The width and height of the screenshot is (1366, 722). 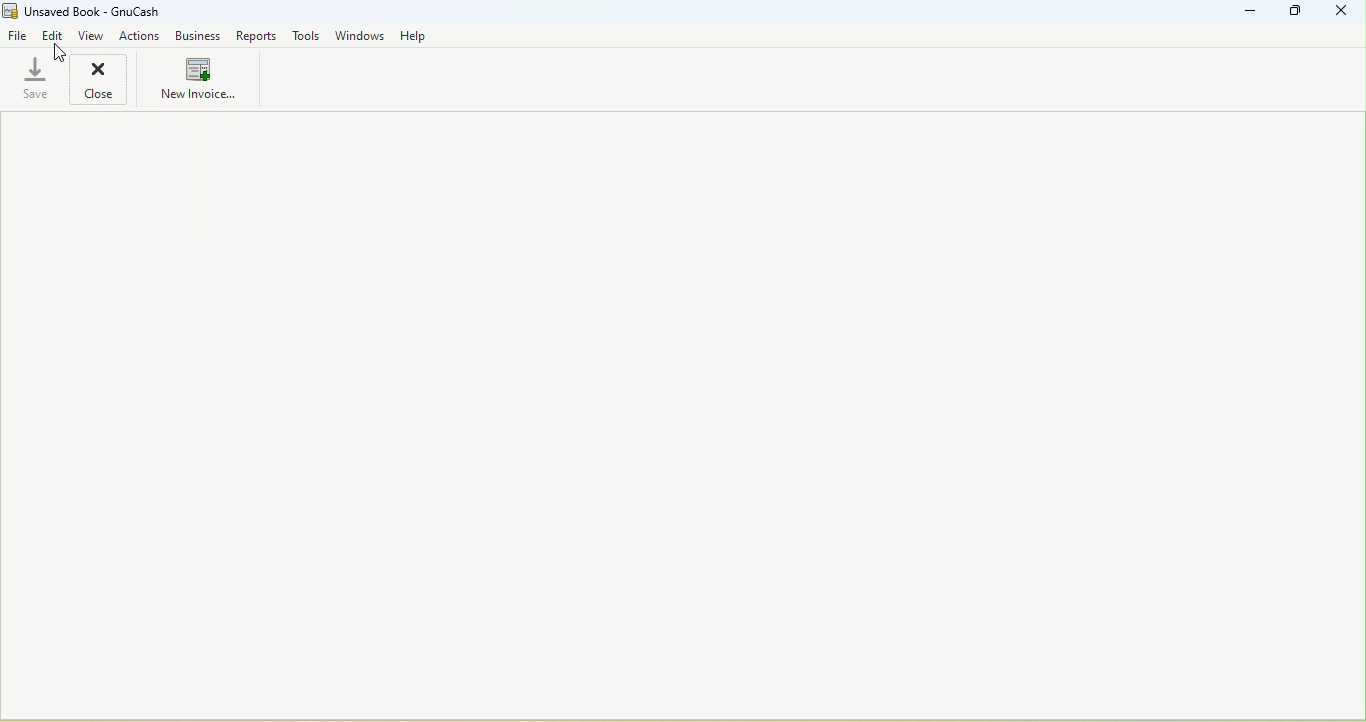 I want to click on Reports, so click(x=256, y=36).